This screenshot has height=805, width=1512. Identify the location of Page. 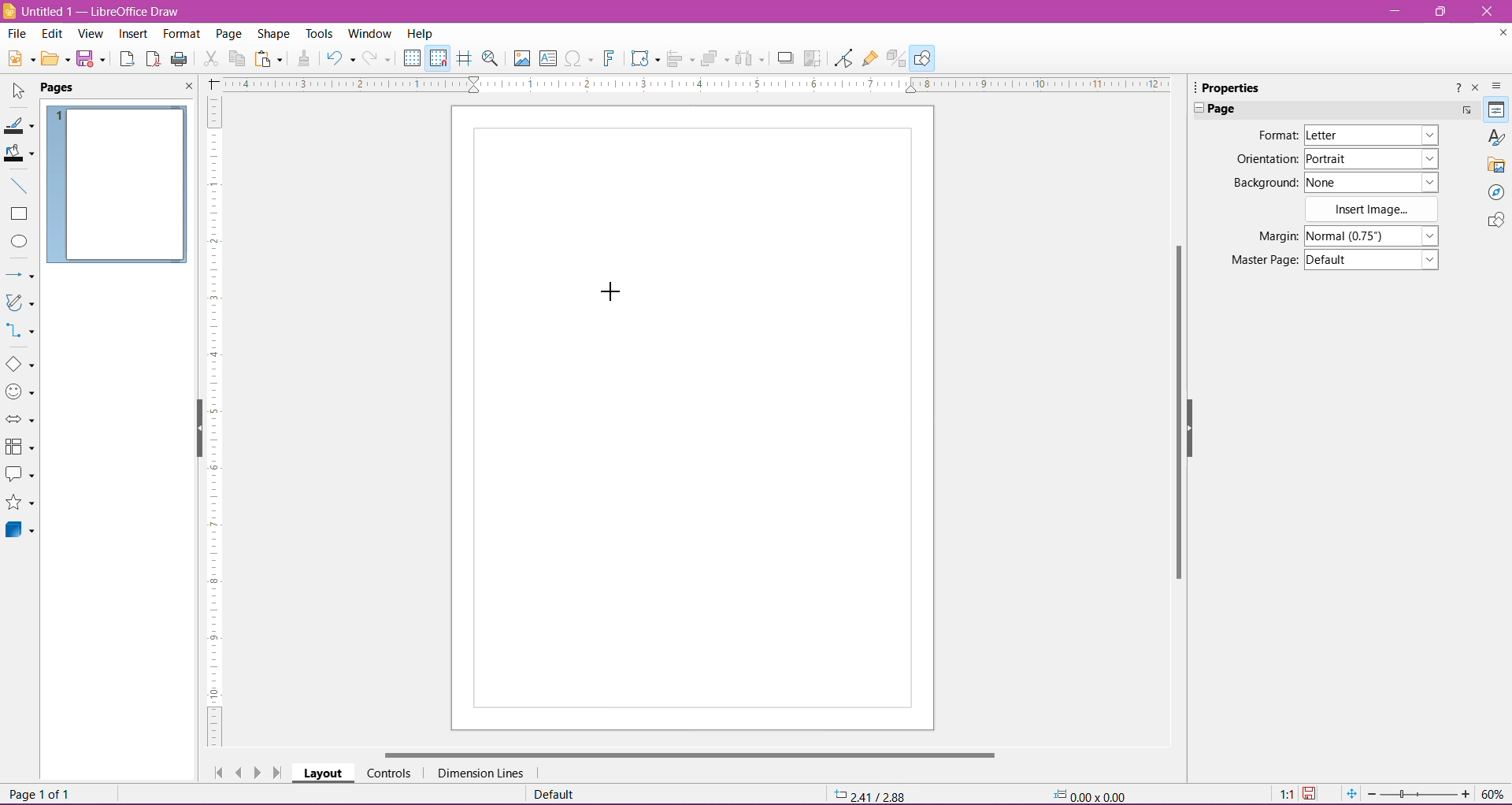
(691, 418).